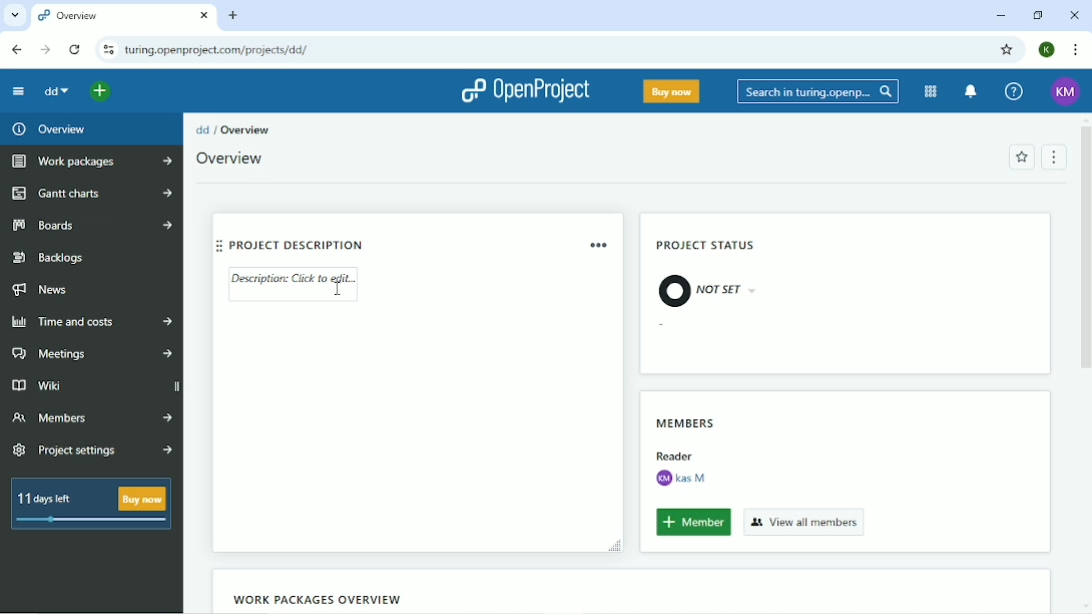 This screenshot has height=614, width=1092. What do you see at coordinates (91, 504) in the screenshot?
I see `11 days left Buy now` at bounding box center [91, 504].